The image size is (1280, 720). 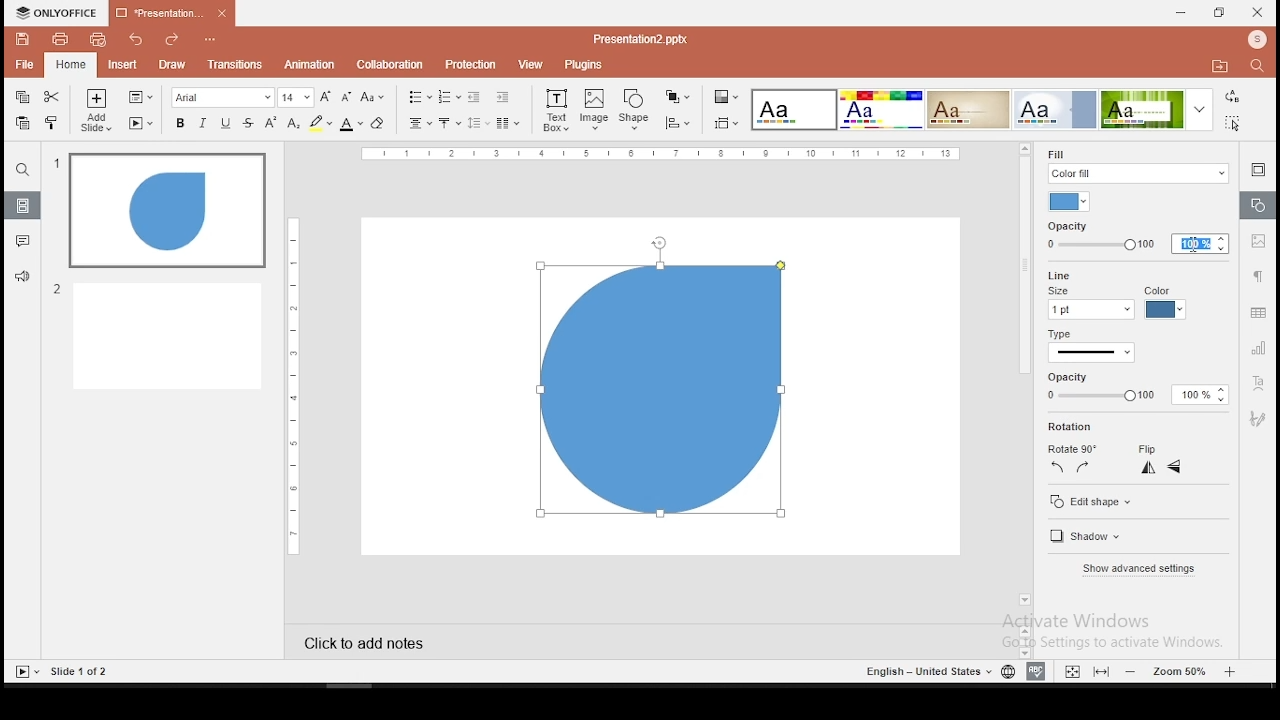 What do you see at coordinates (1138, 569) in the screenshot?
I see `show advanced settings` at bounding box center [1138, 569].